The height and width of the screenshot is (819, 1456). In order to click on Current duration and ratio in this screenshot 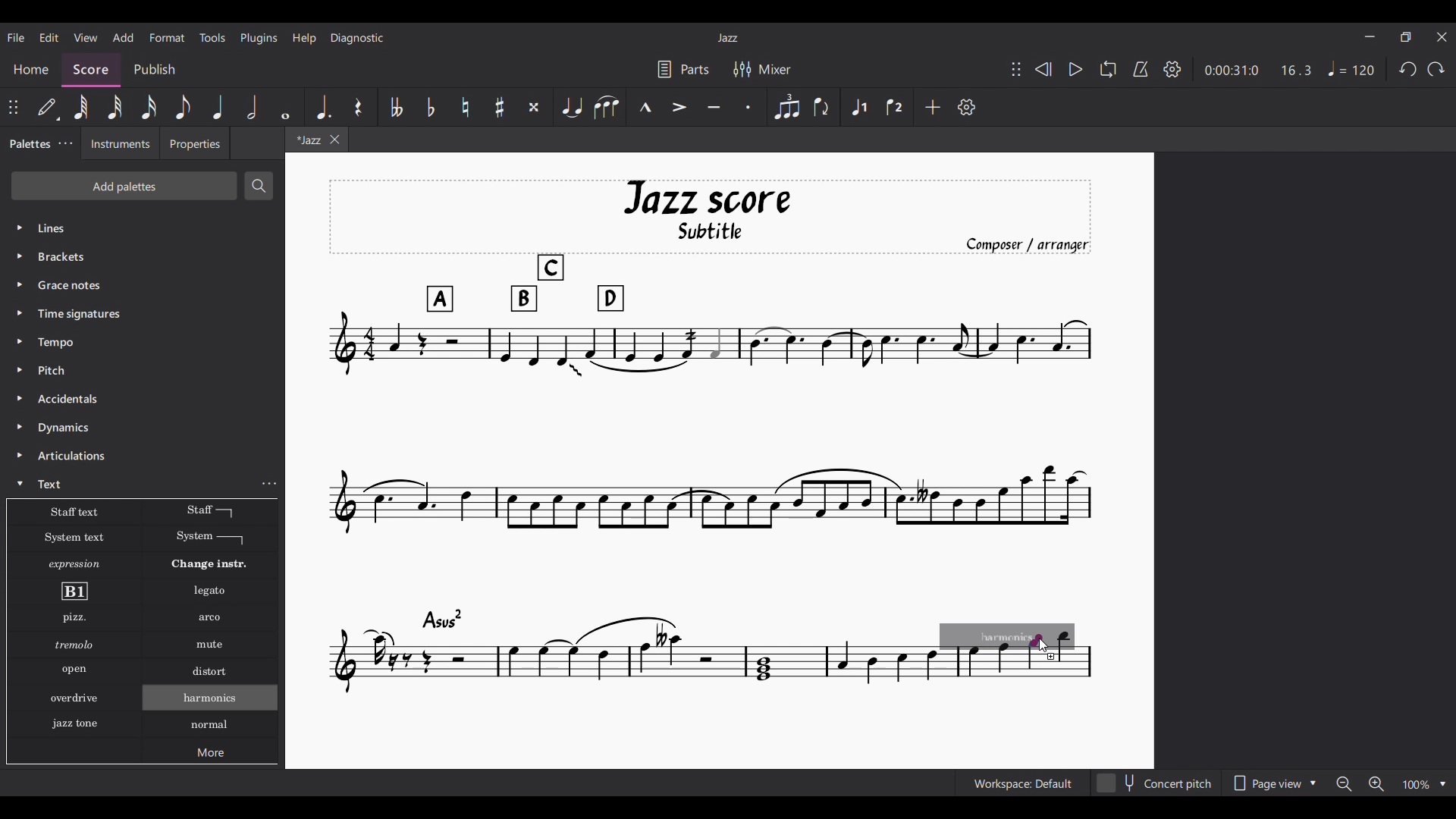, I will do `click(1258, 70)`.